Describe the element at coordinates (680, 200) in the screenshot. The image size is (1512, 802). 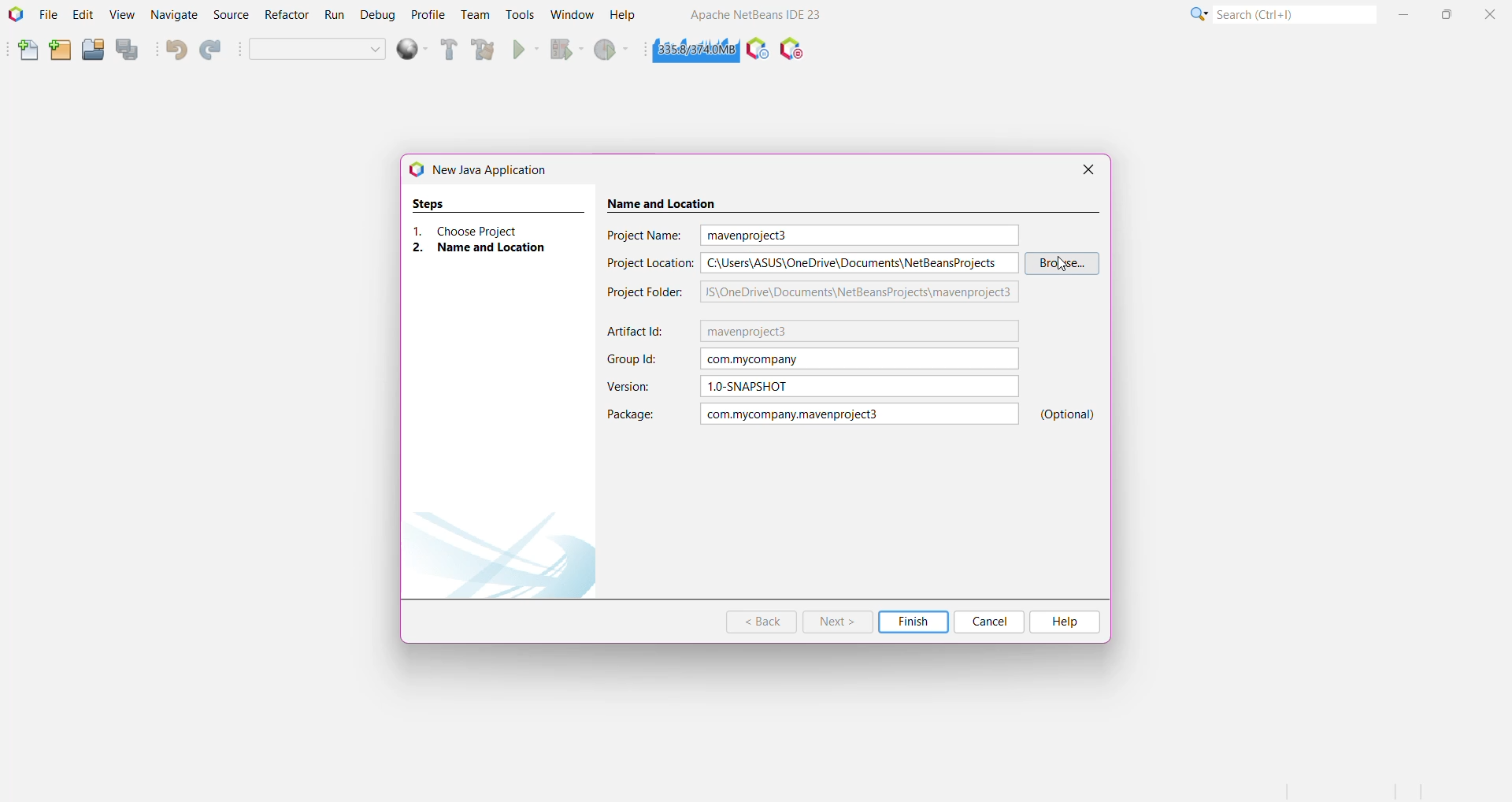
I see `Name and Location` at that location.